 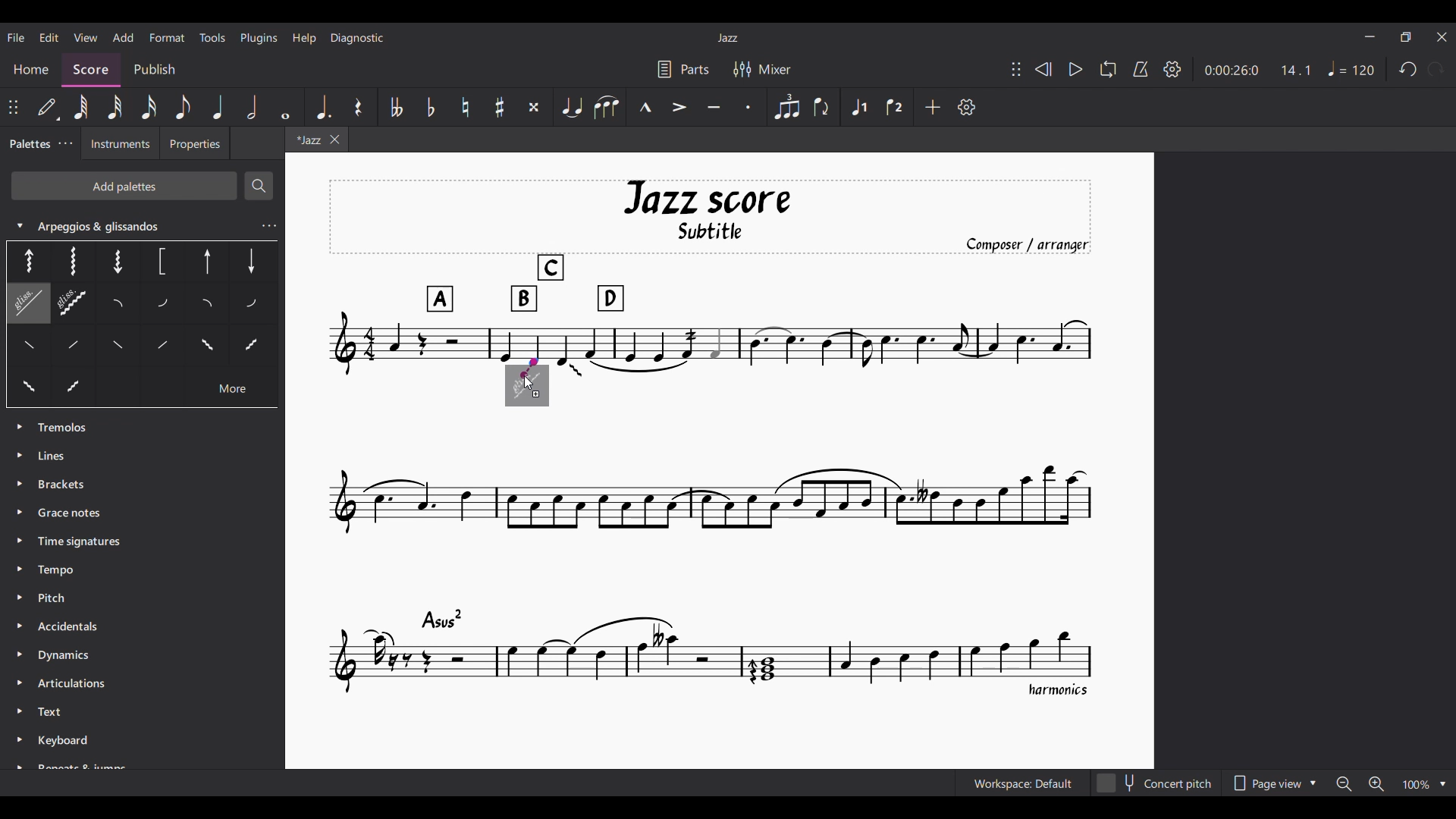 I want to click on Toggle flat, so click(x=431, y=107).